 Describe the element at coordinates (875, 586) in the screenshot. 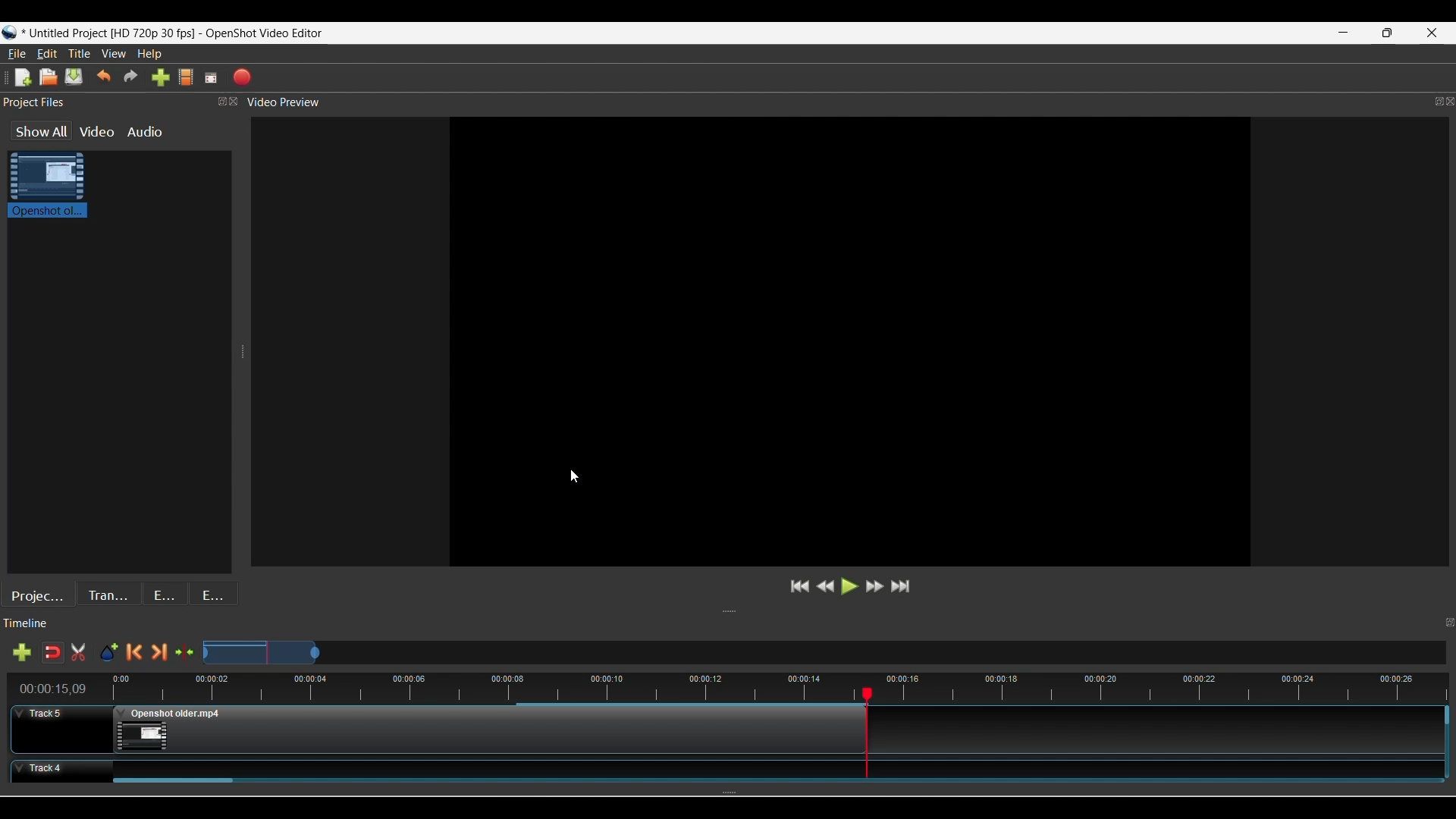

I see `Fastforward` at that location.